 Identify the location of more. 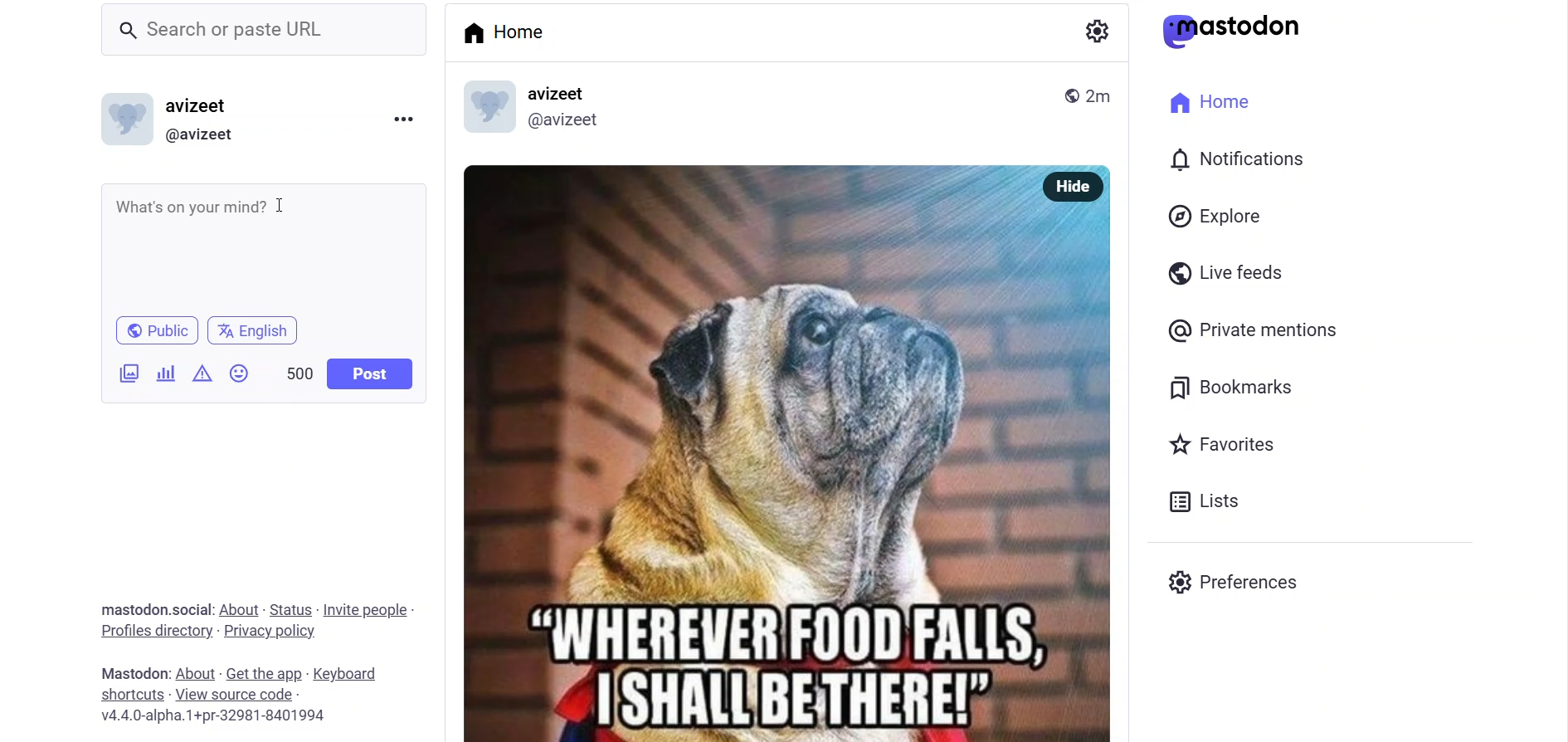
(404, 118).